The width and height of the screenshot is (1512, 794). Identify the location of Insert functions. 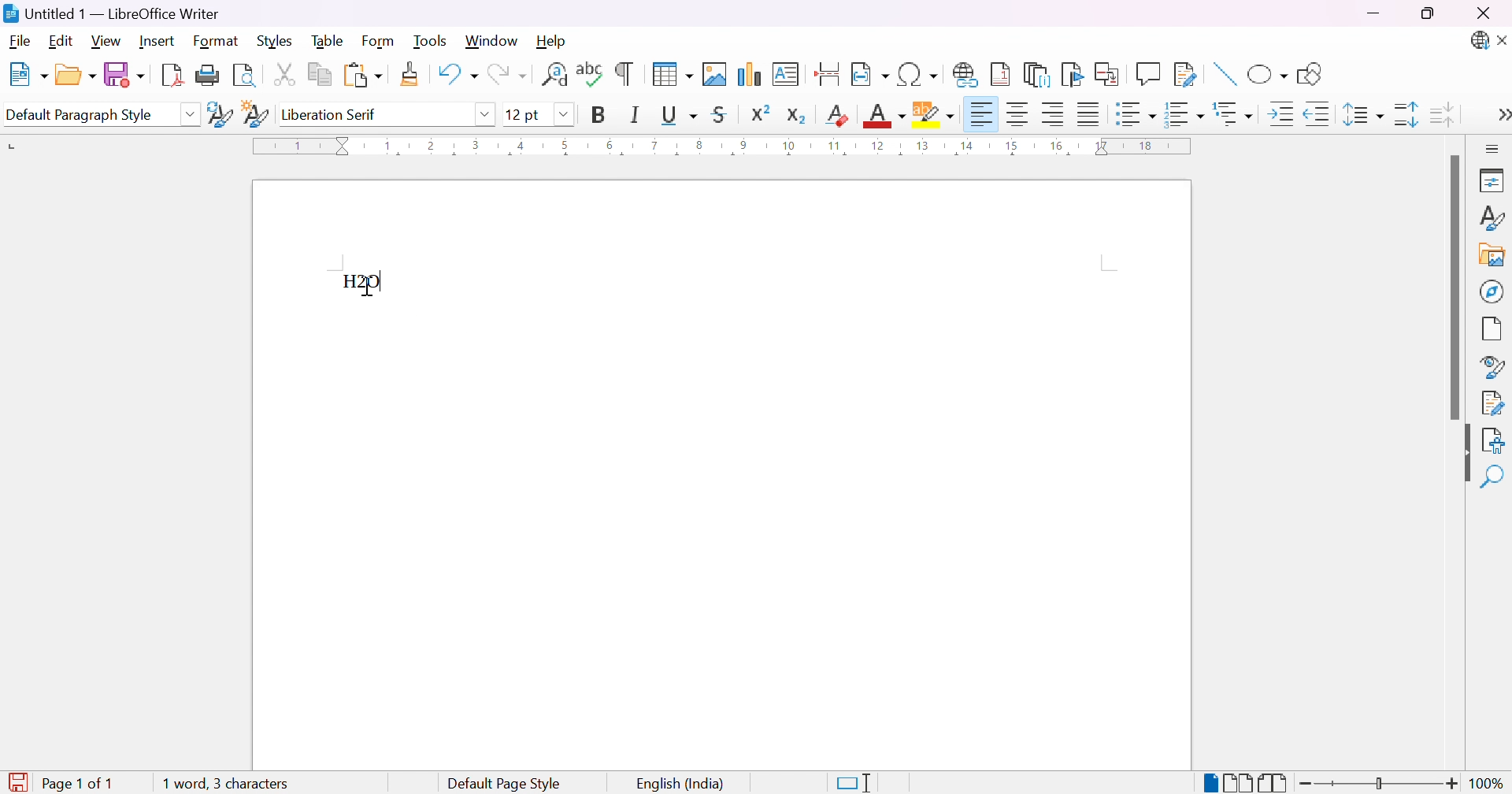
(1147, 74).